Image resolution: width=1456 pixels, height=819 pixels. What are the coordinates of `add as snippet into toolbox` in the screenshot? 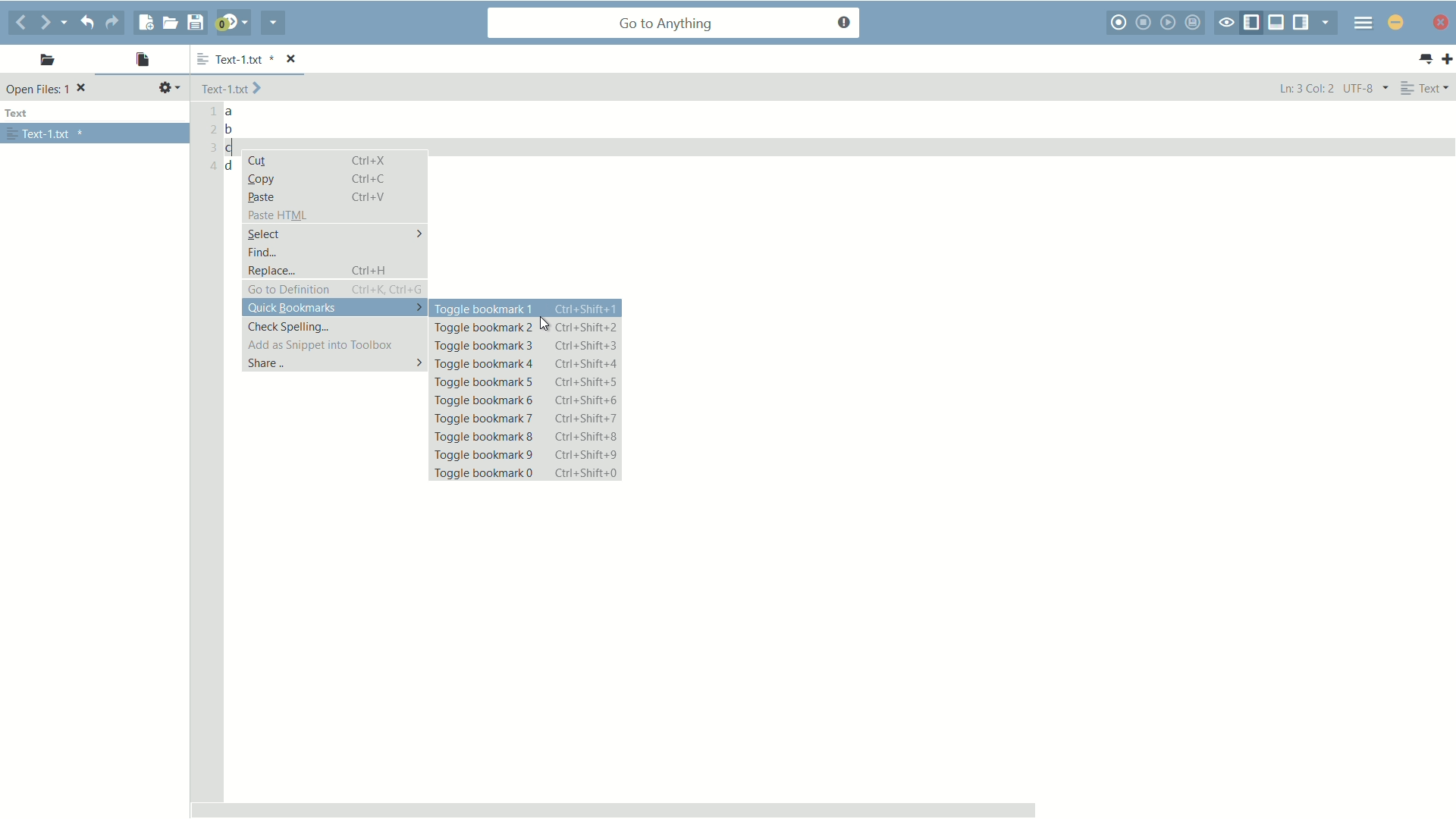 It's located at (317, 344).